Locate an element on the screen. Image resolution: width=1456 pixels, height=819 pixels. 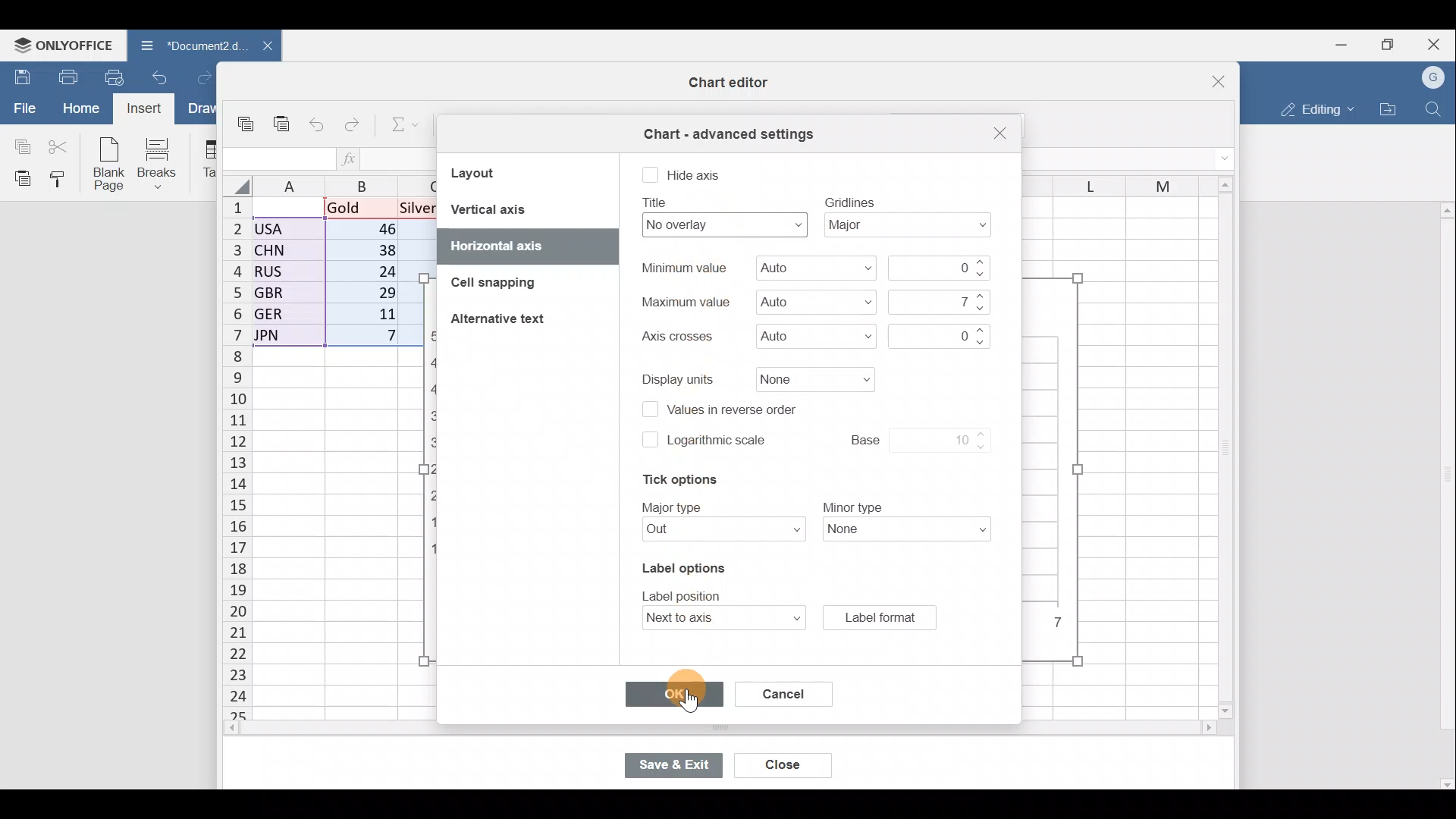
text is located at coordinates (657, 202).